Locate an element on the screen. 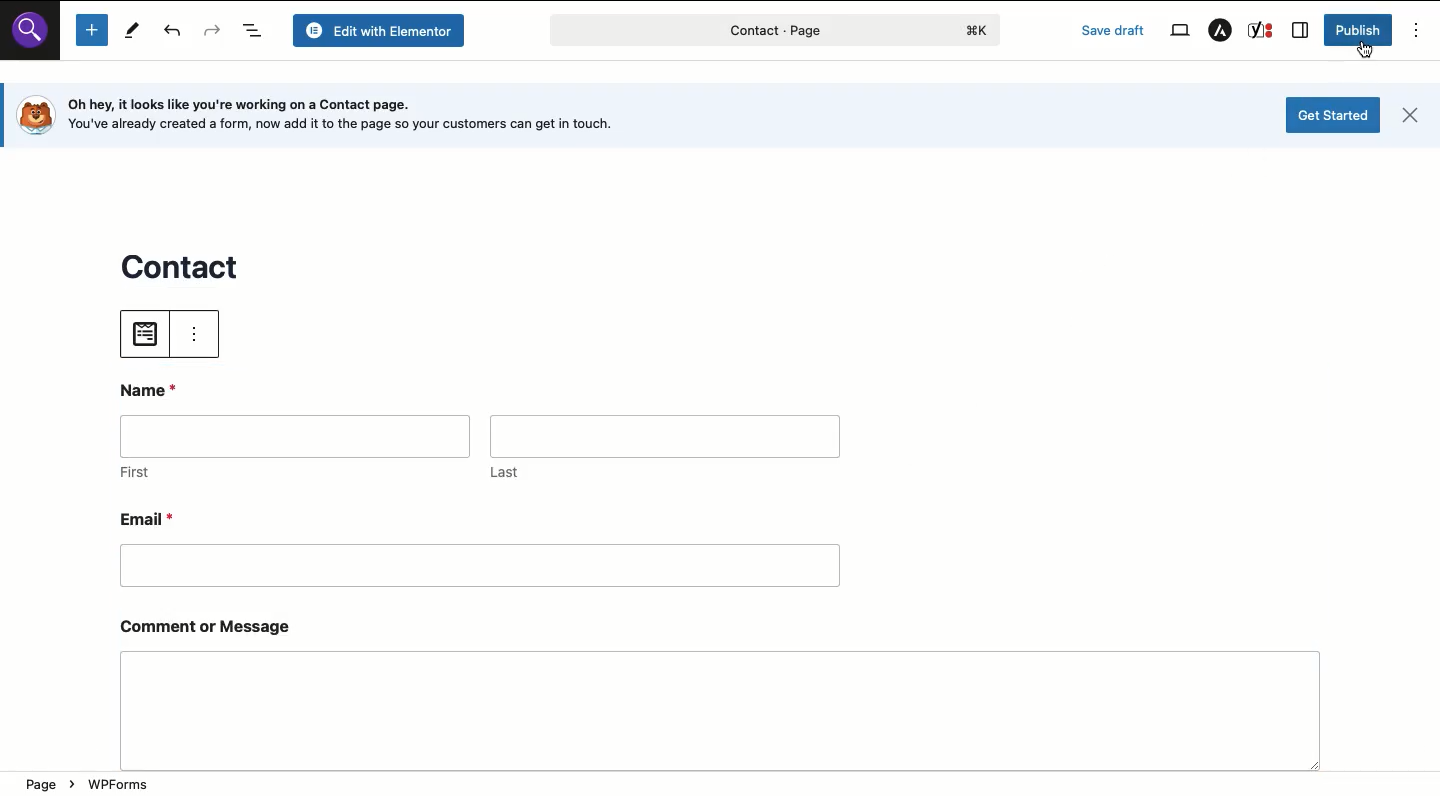 The image size is (1440, 796). view menu is located at coordinates (207, 340).